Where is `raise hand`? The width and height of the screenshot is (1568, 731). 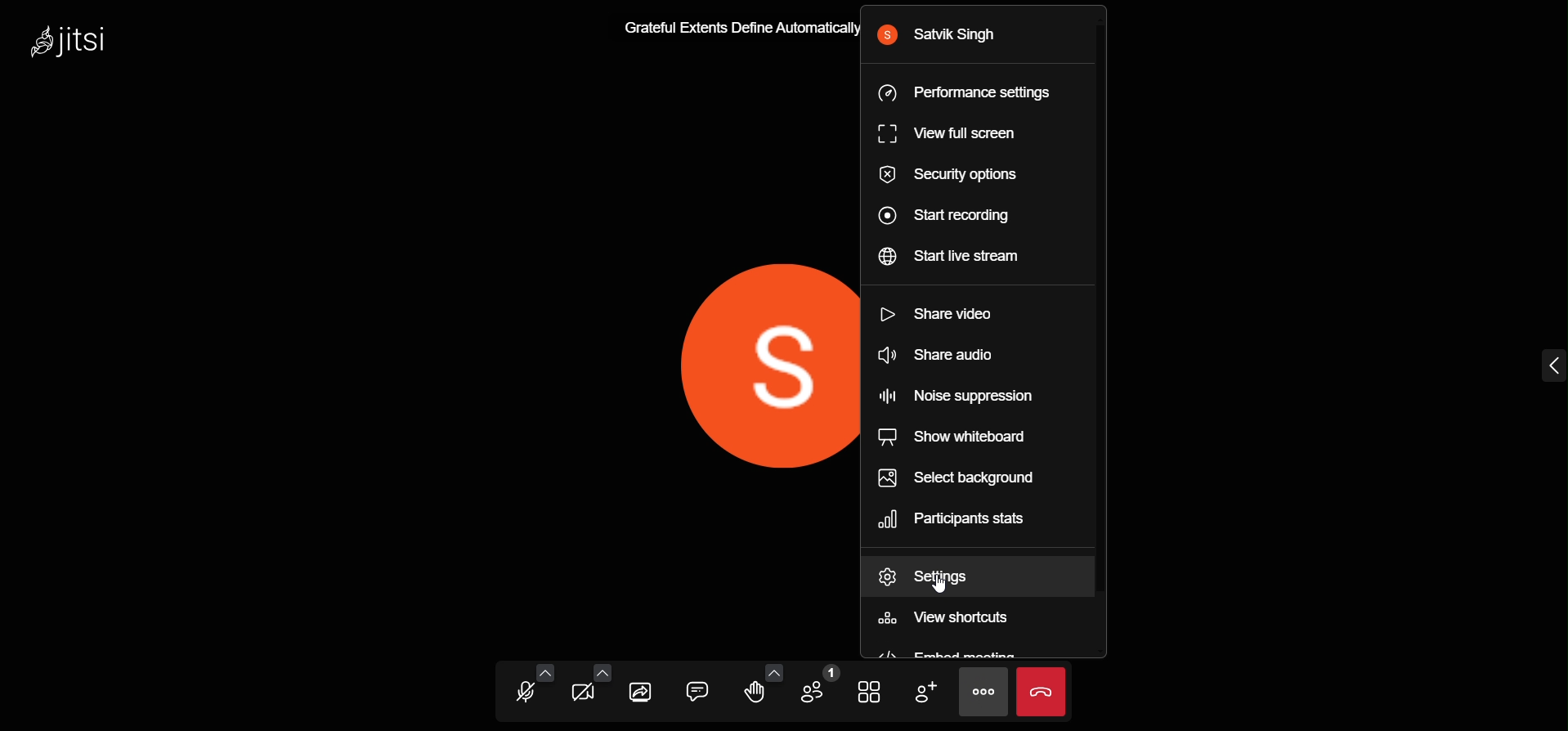 raise hand is located at coordinates (755, 694).